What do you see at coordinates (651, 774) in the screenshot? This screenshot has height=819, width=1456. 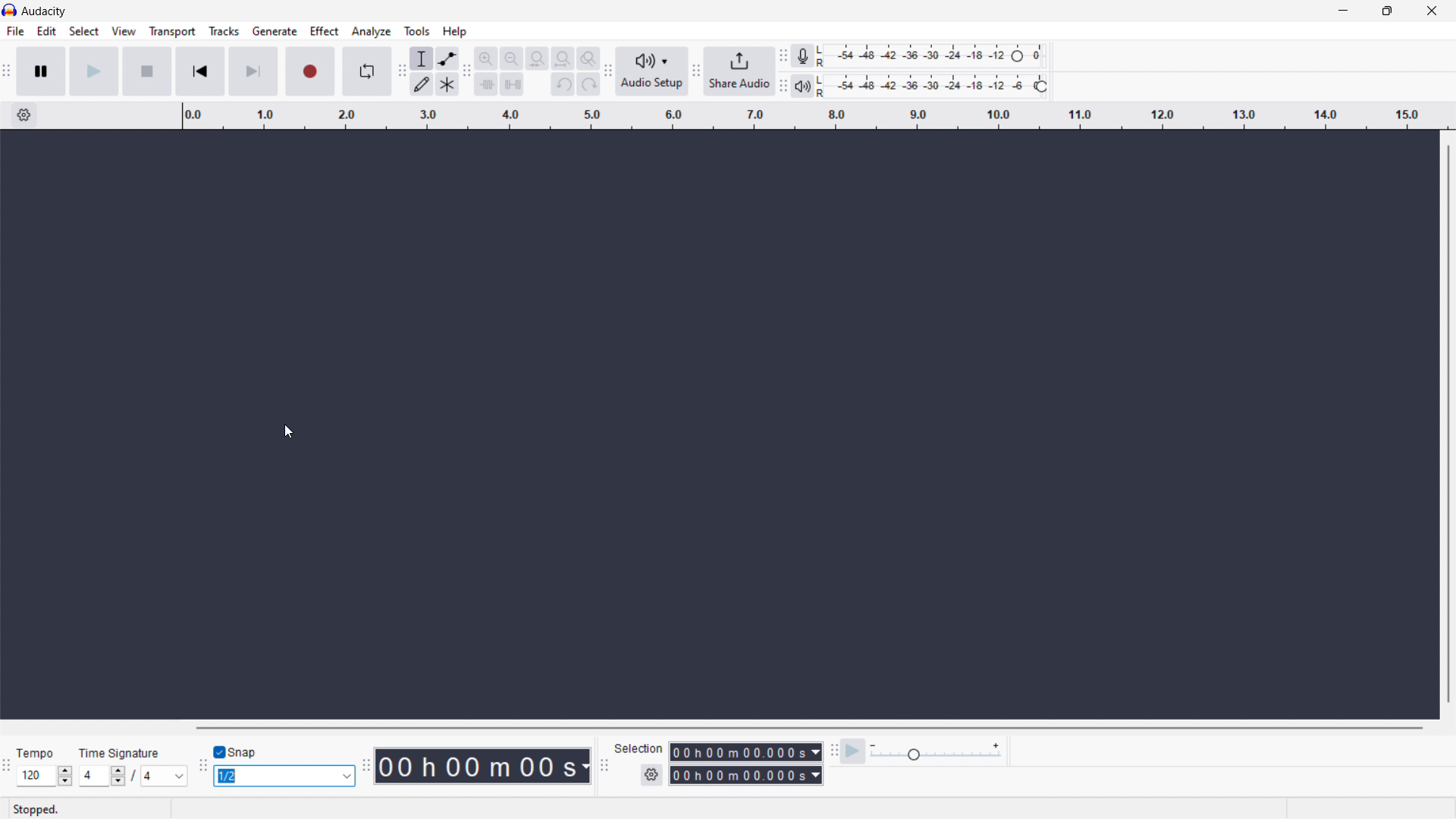 I see `settings` at bounding box center [651, 774].